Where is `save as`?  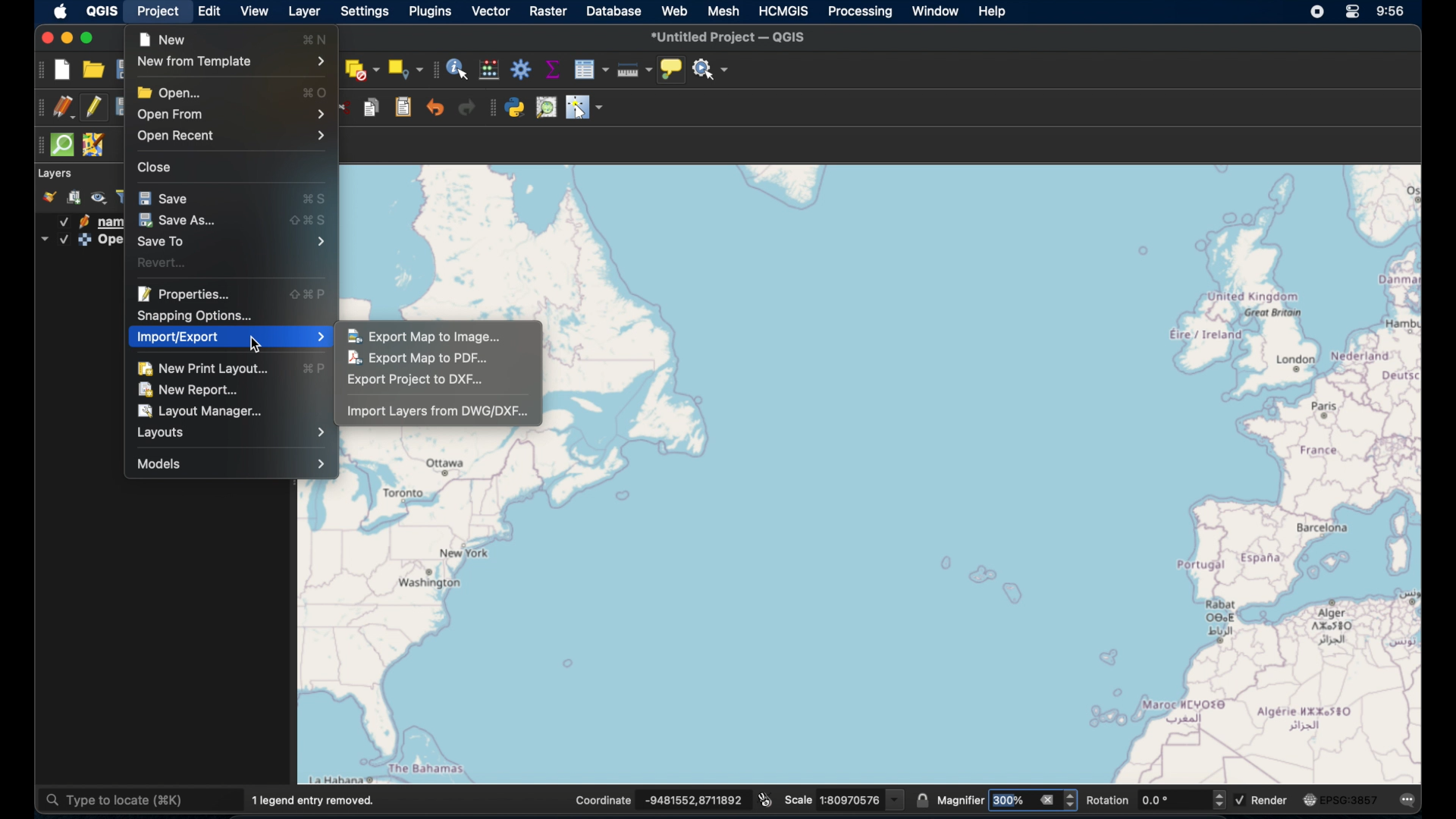
save as is located at coordinates (178, 219).